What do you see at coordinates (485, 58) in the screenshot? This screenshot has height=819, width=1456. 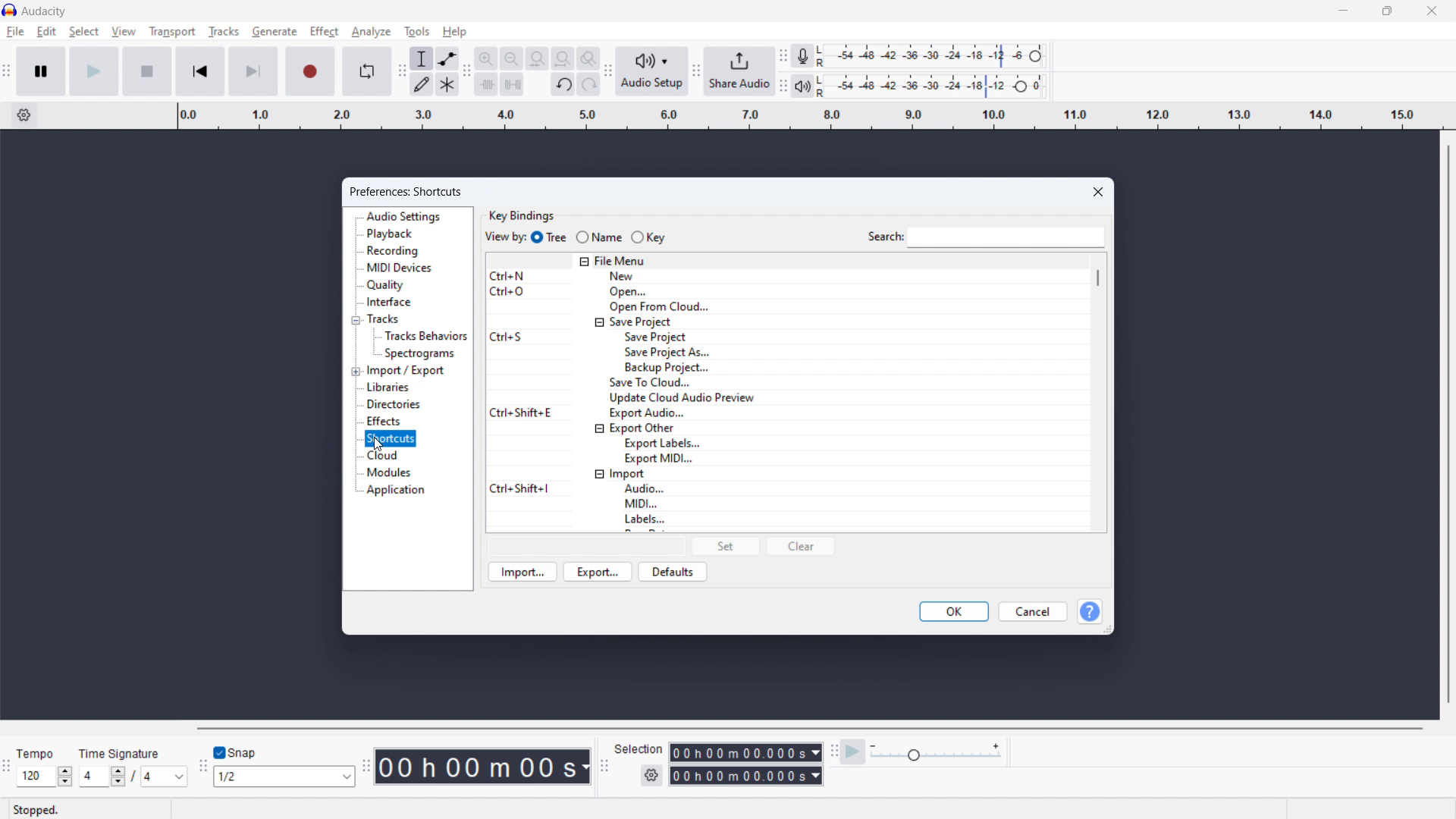 I see `zoom in` at bounding box center [485, 58].